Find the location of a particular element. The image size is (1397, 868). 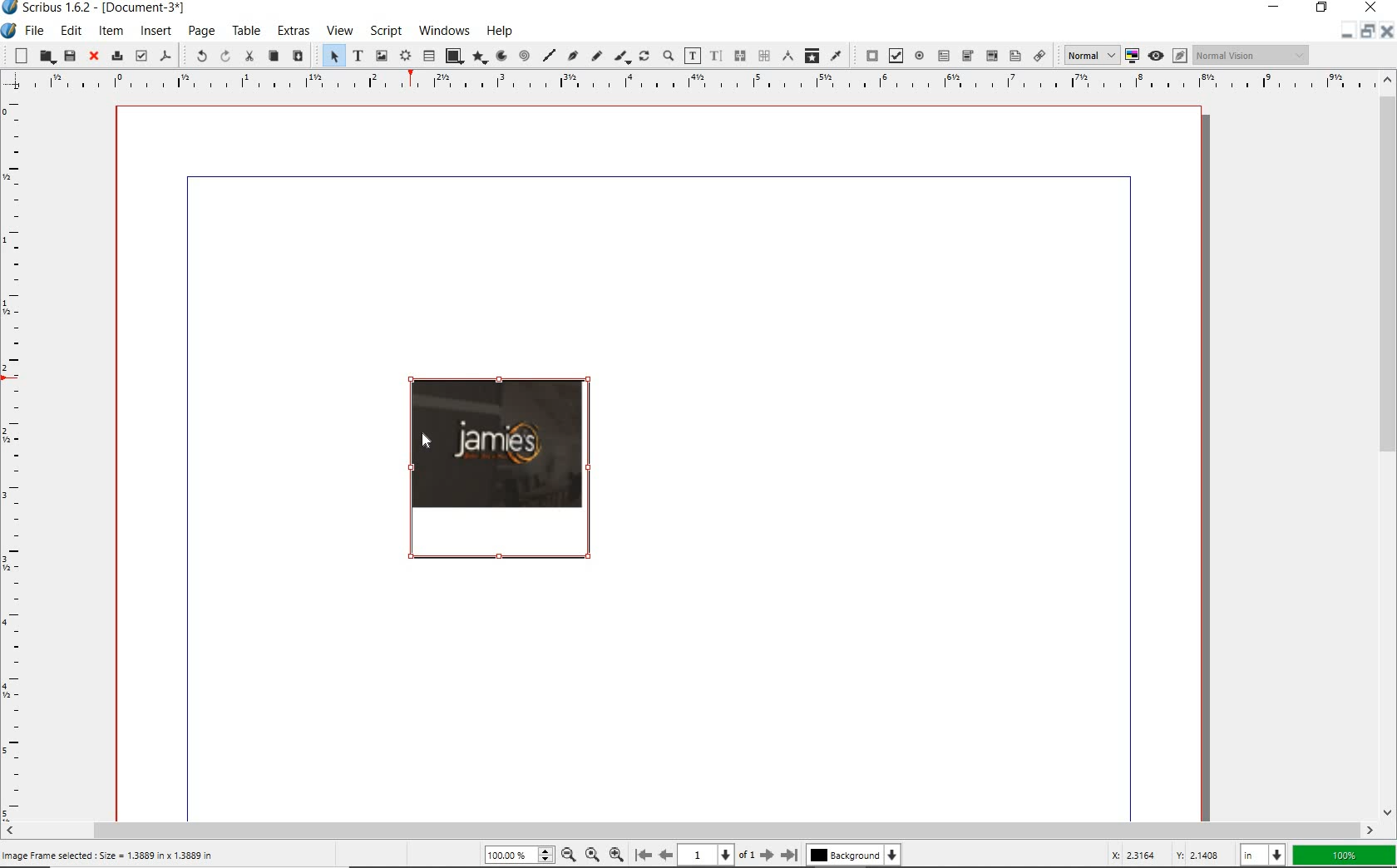

freehand line is located at coordinates (594, 55).